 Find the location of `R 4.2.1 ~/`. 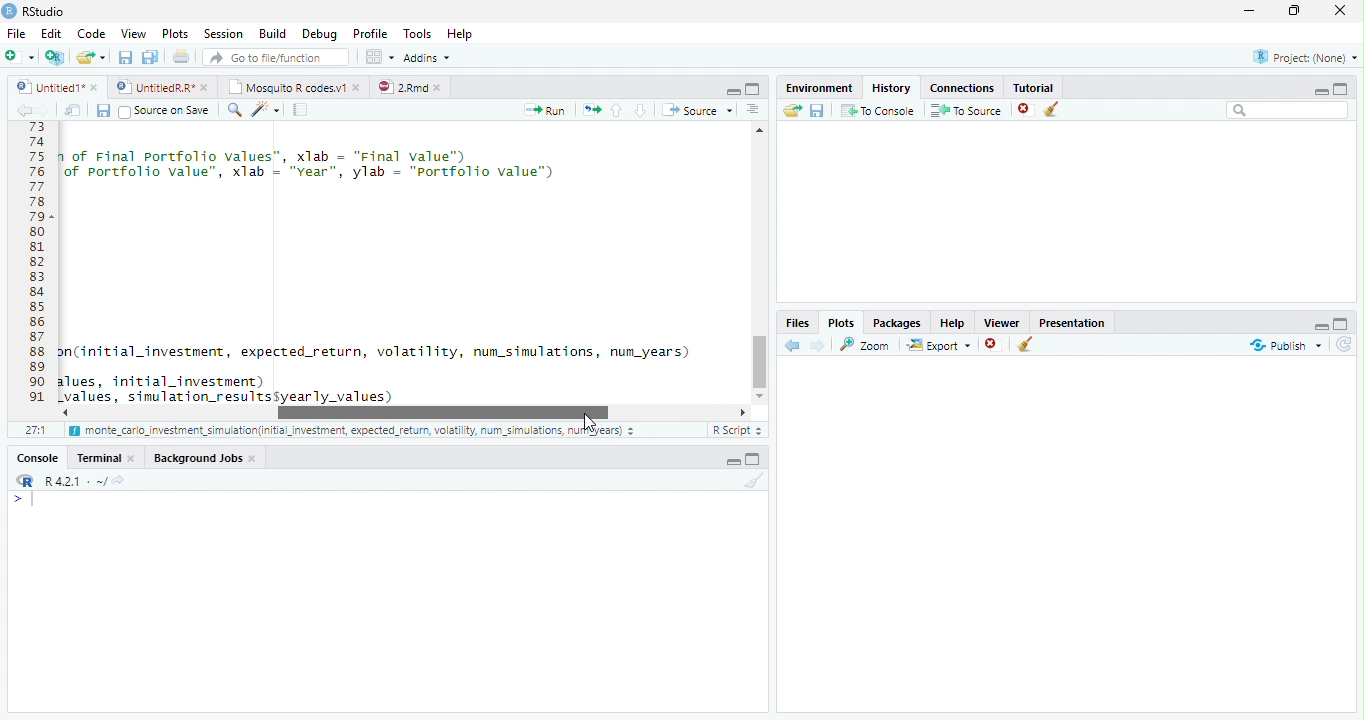

R 4.2.1 ~/ is located at coordinates (67, 479).